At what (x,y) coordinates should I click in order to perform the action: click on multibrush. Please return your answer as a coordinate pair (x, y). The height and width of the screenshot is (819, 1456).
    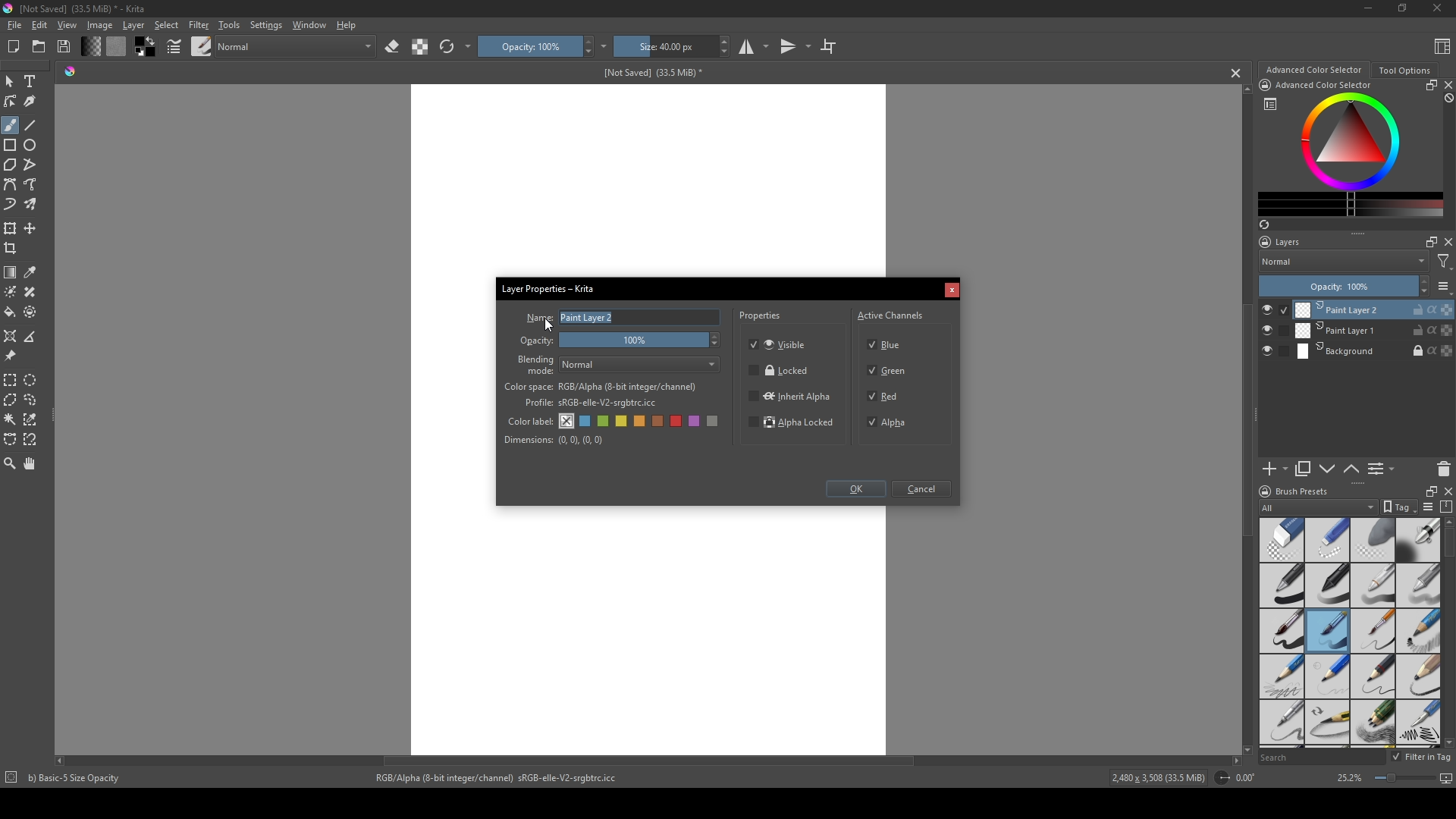
    Looking at the image, I should click on (32, 205).